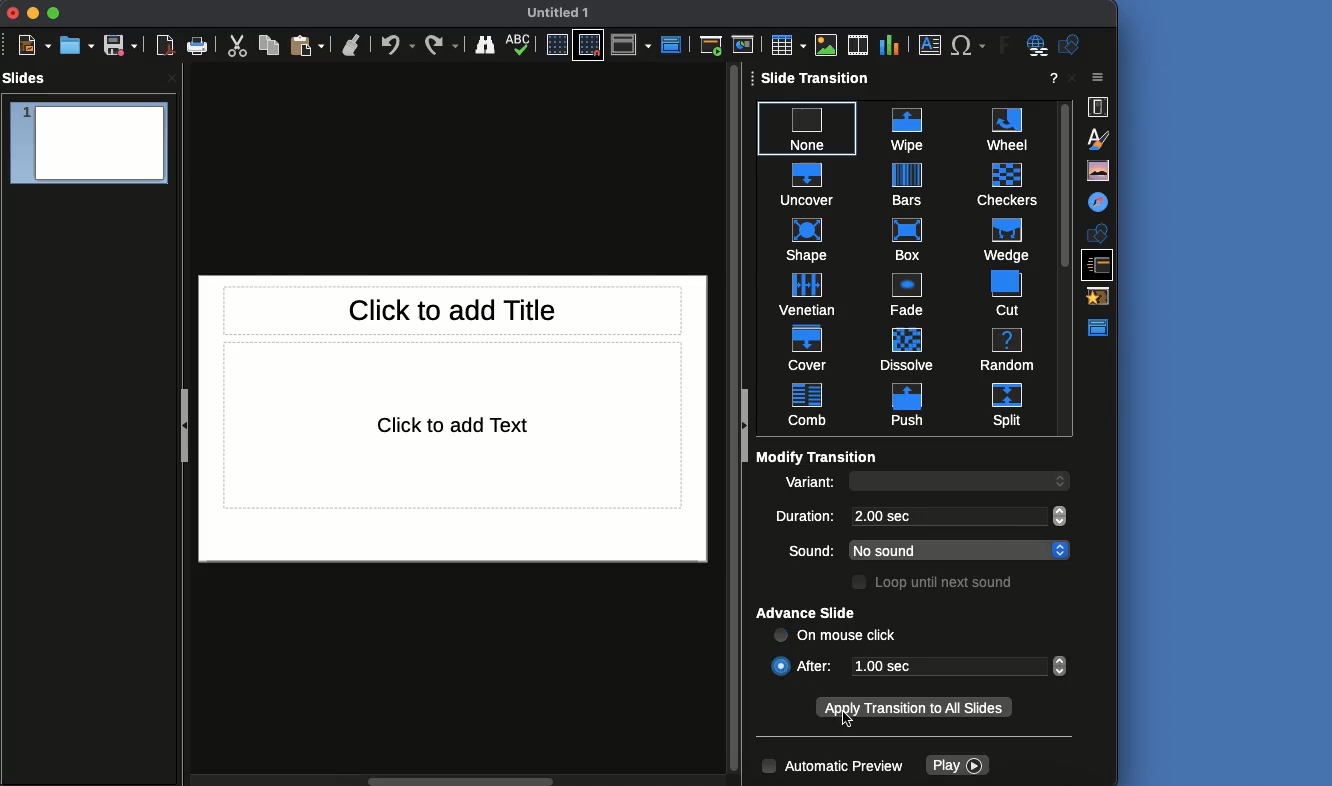  I want to click on Automatic preview, so click(834, 767).